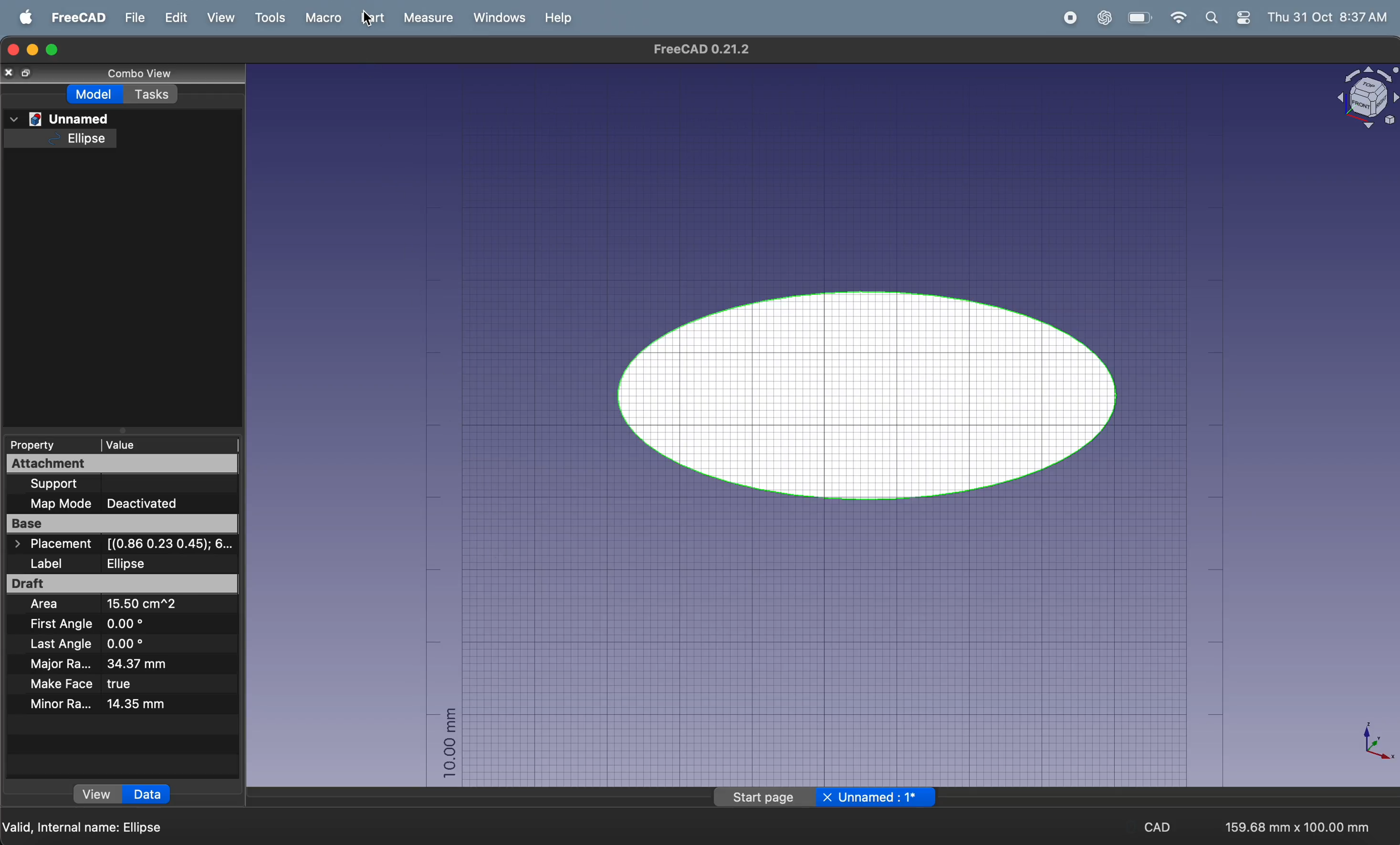  I want to click on thu 31 oct 8.37 am, so click(1330, 16).